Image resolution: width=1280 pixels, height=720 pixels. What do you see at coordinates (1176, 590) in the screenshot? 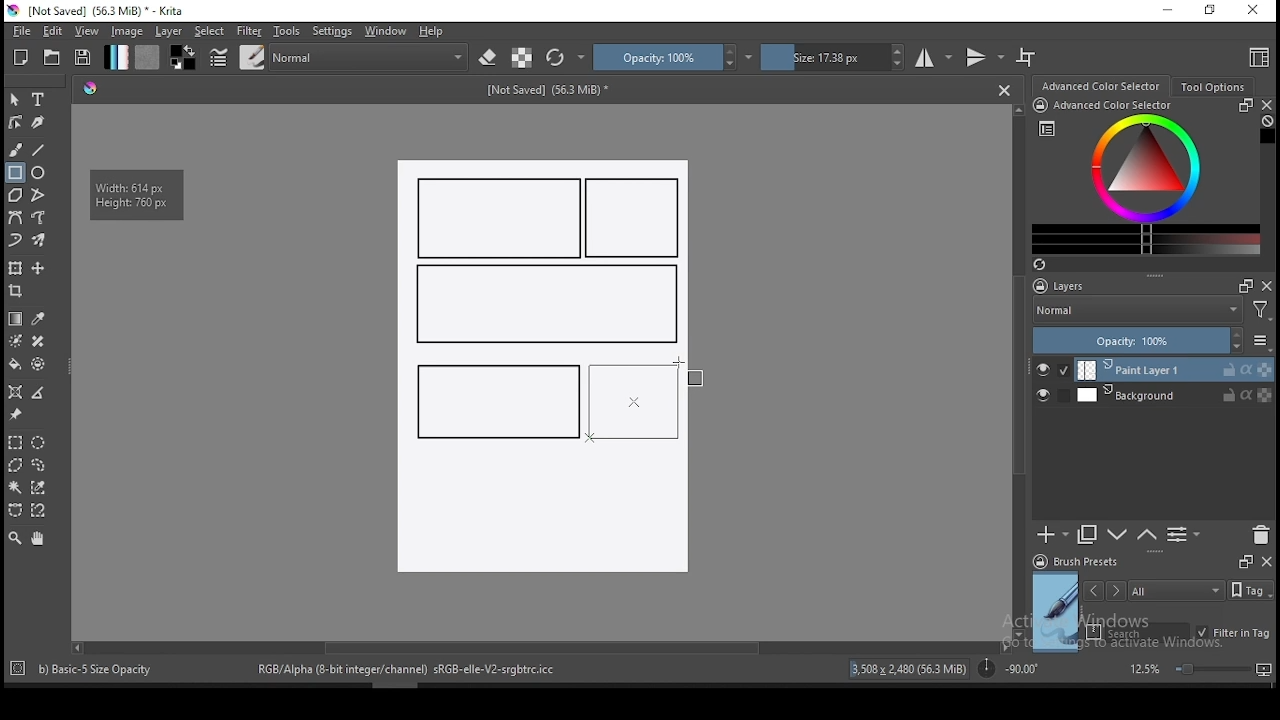
I see `tags` at bounding box center [1176, 590].